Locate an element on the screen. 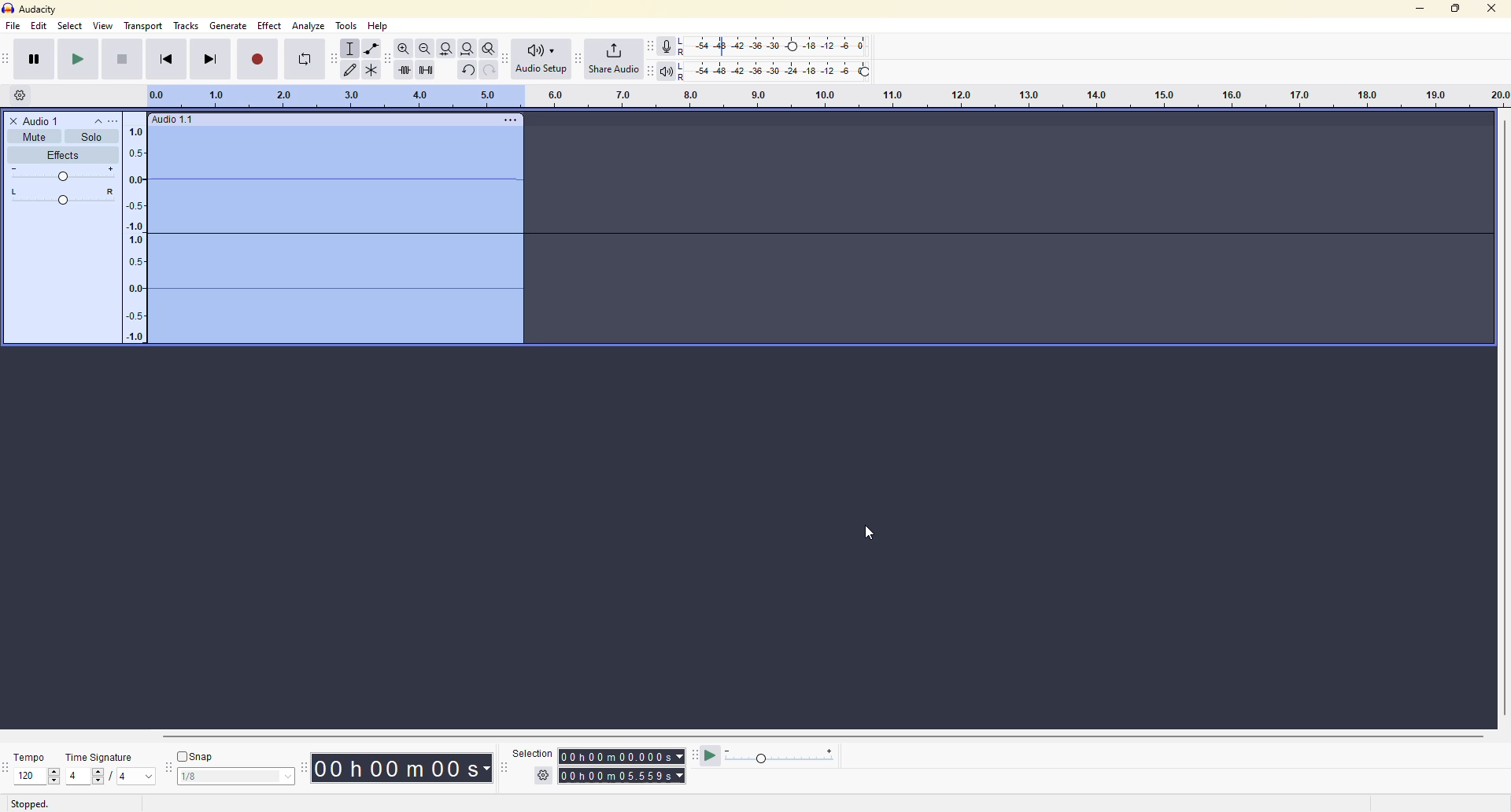  recording meter toolbar is located at coordinates (650, 46).